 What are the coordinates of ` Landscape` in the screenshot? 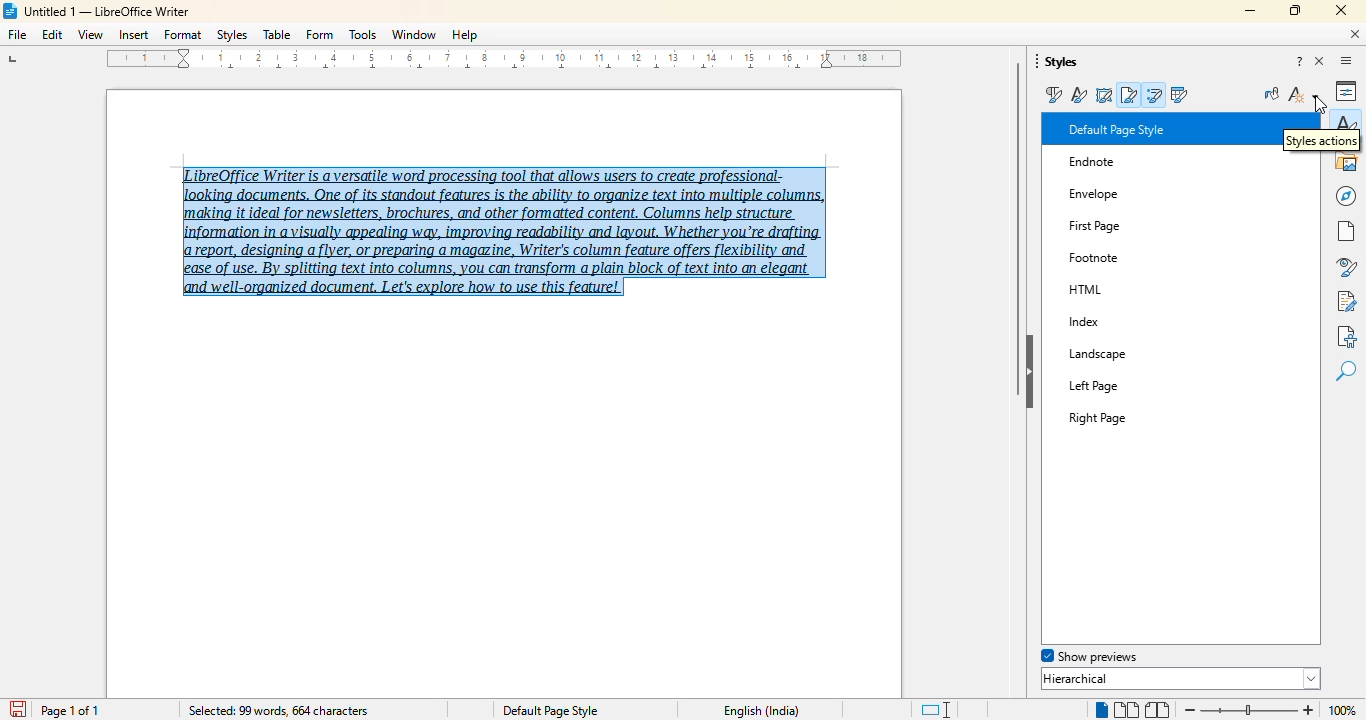 It's located at (1119, 353).